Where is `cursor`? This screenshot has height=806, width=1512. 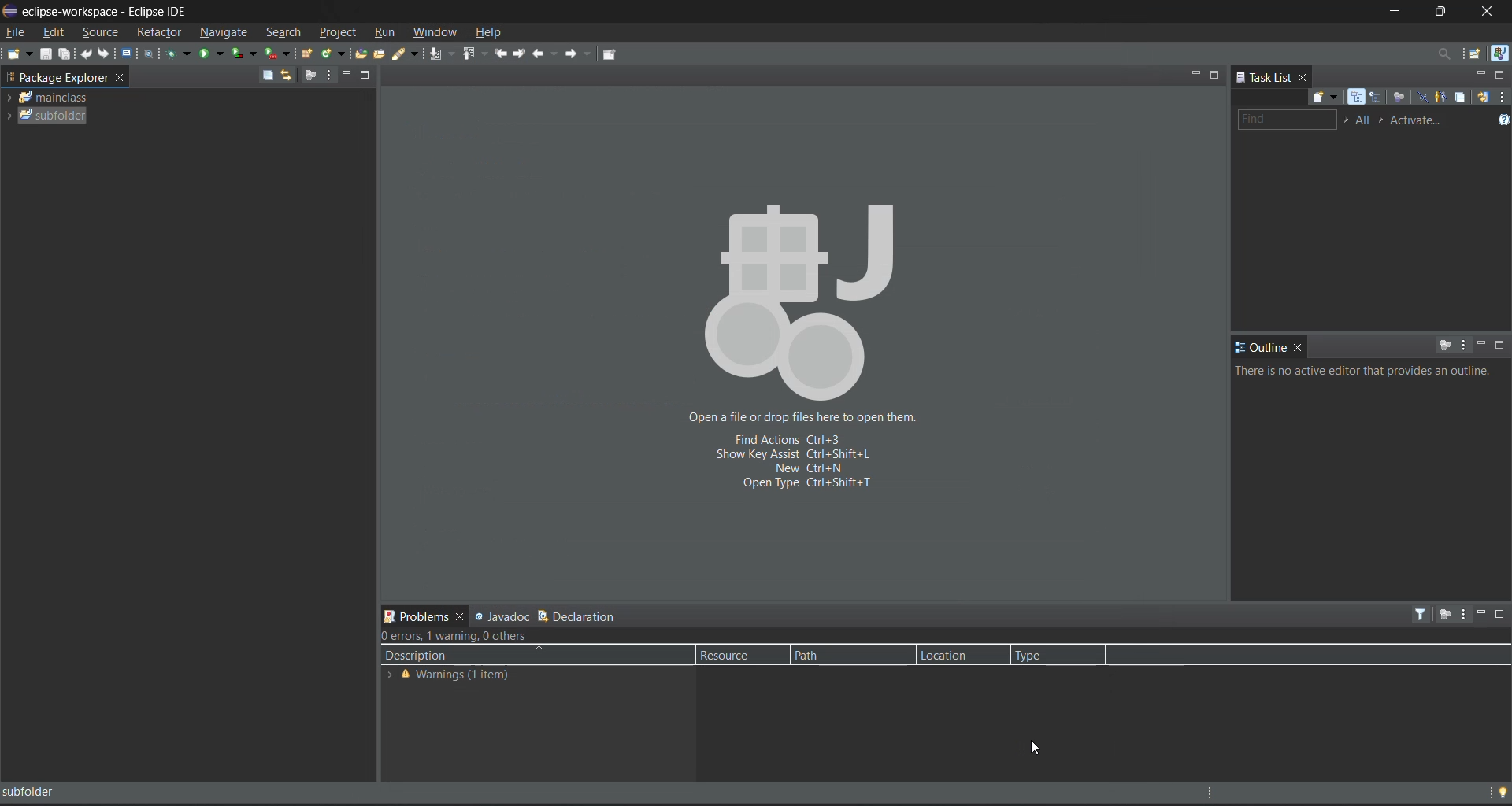
cursor is located at coordinates (1035, 744).